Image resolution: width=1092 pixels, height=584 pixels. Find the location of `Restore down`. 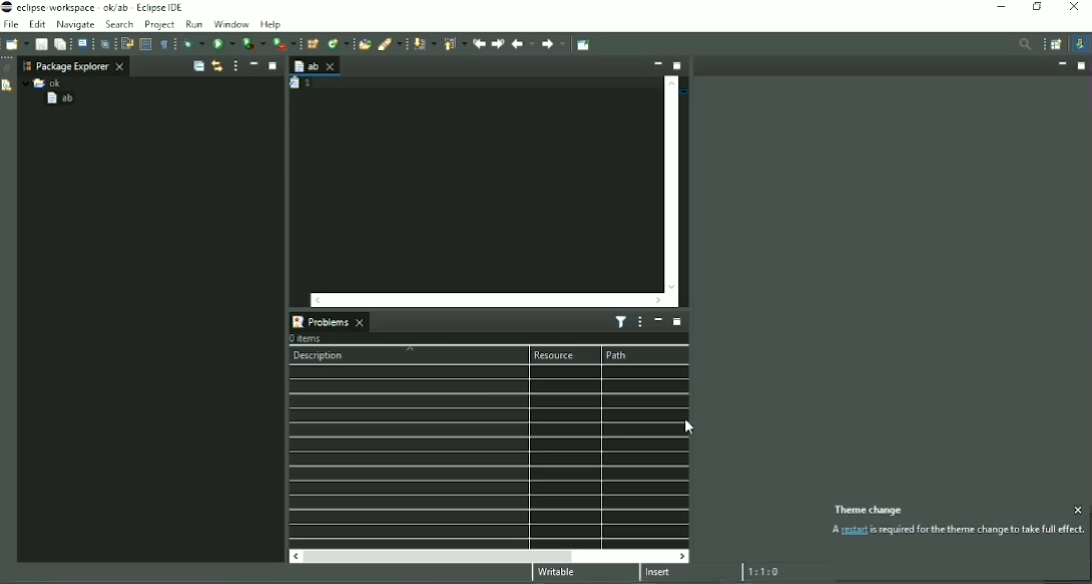

Restore down is located at coordinates (1039, 8).